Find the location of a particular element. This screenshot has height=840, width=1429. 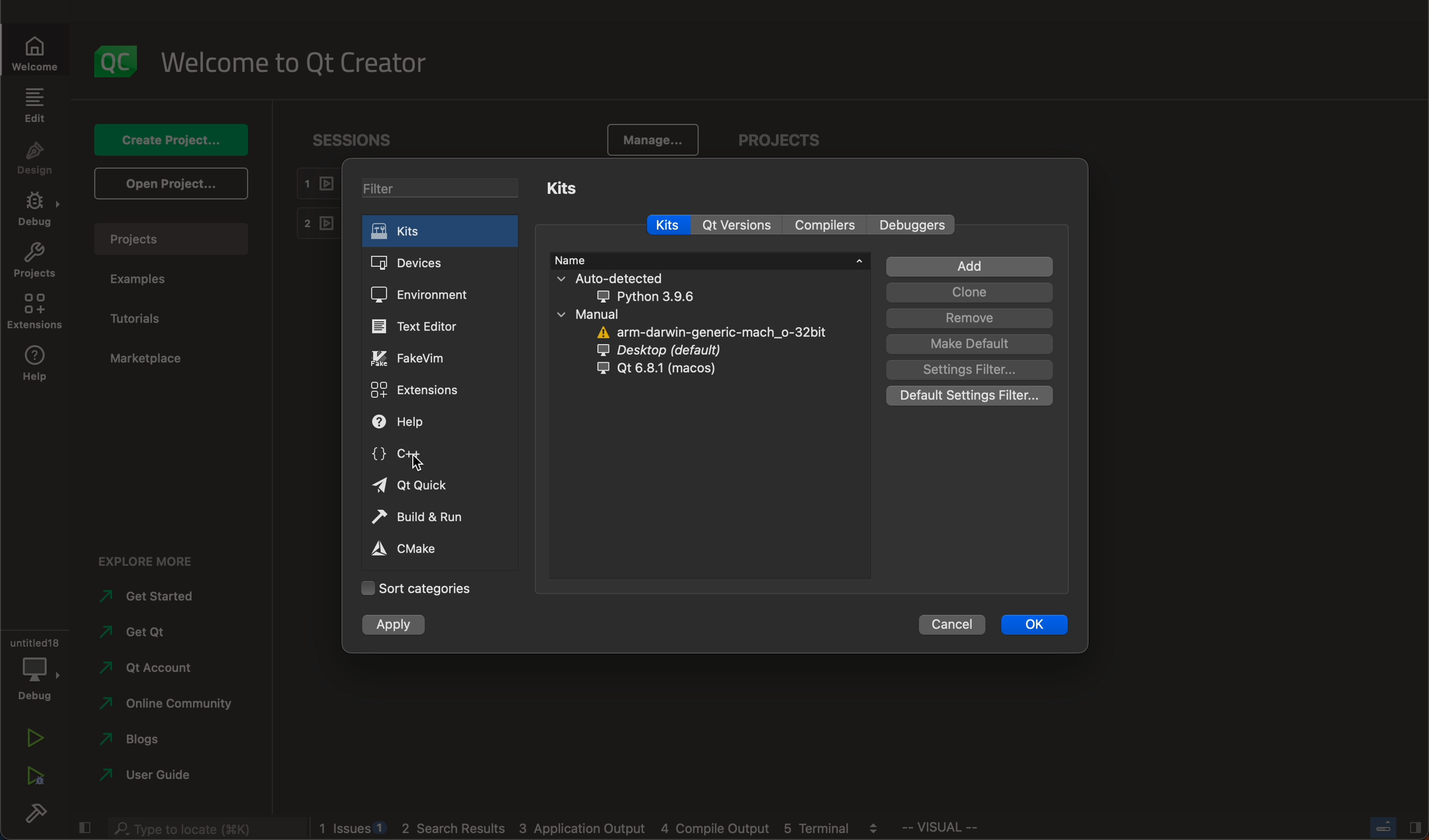

extensions is located at coordinates (34, 312).